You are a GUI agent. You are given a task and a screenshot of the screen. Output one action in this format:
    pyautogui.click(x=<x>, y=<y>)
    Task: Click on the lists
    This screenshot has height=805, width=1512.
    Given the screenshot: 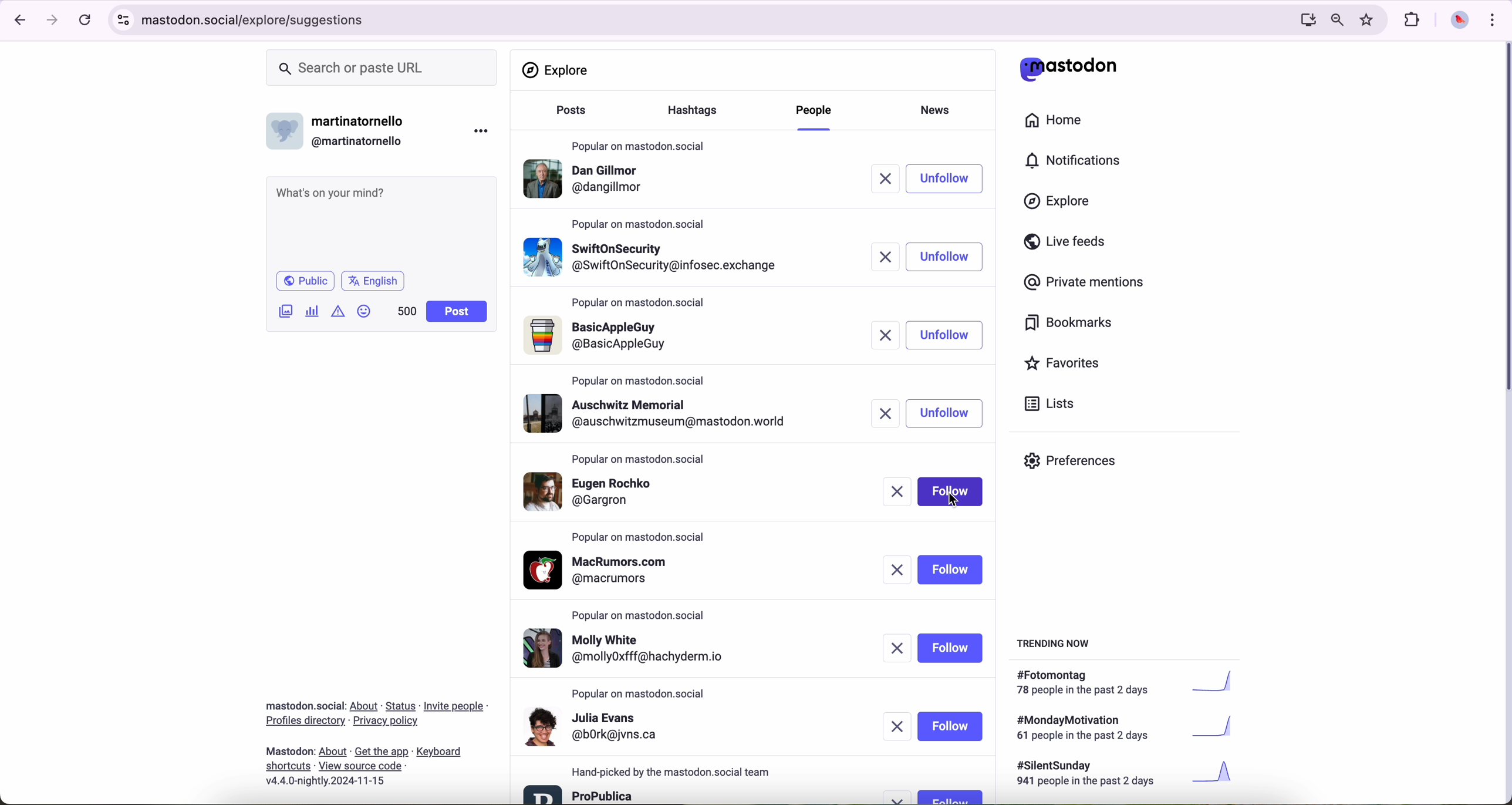 What is the action you would take?
    pyautogui.click(x=1045, y=403)
    